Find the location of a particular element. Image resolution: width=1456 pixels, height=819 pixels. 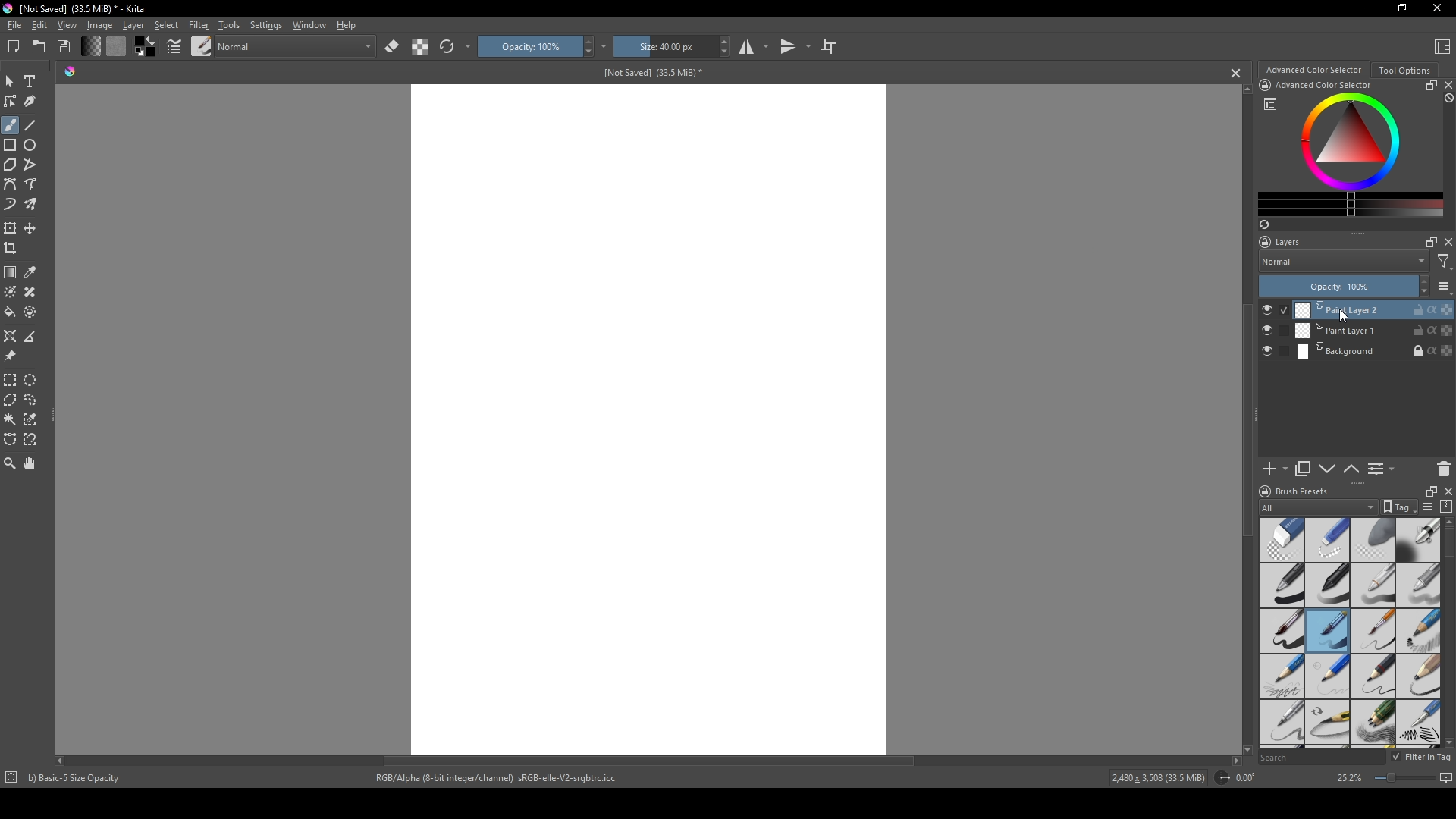

Opacity: 100% is located at coordinates (1335, 287).